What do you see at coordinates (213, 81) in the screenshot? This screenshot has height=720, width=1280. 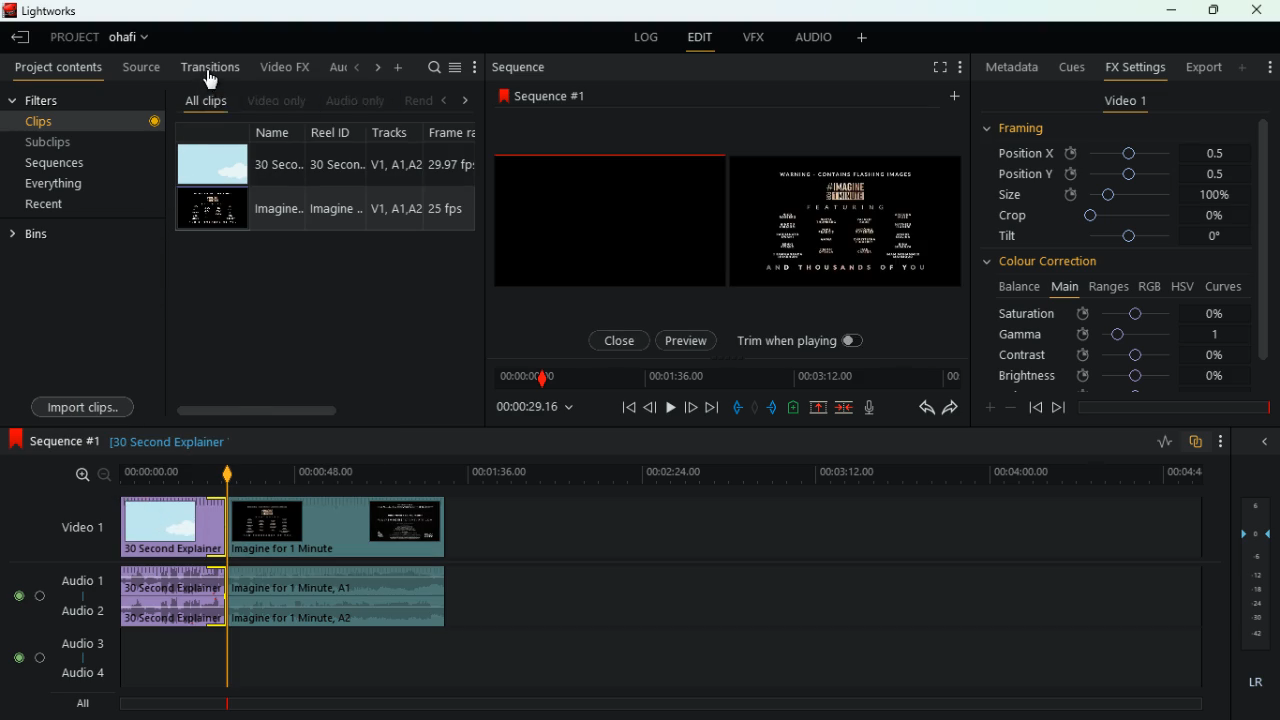 I see `cursor` at bounding box center [213, 81].